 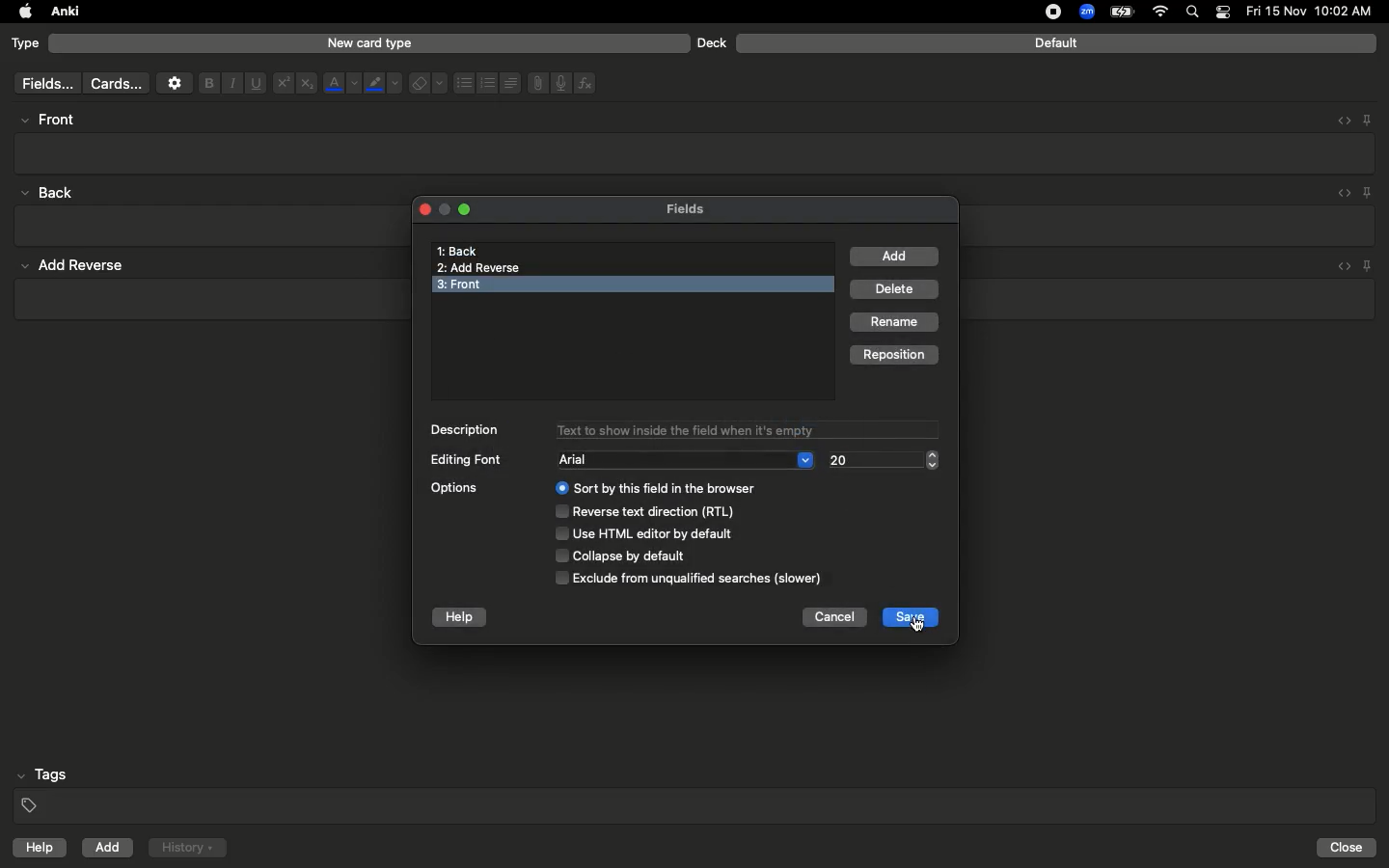 I want to click on Internet, so click(x=1162, y=13).